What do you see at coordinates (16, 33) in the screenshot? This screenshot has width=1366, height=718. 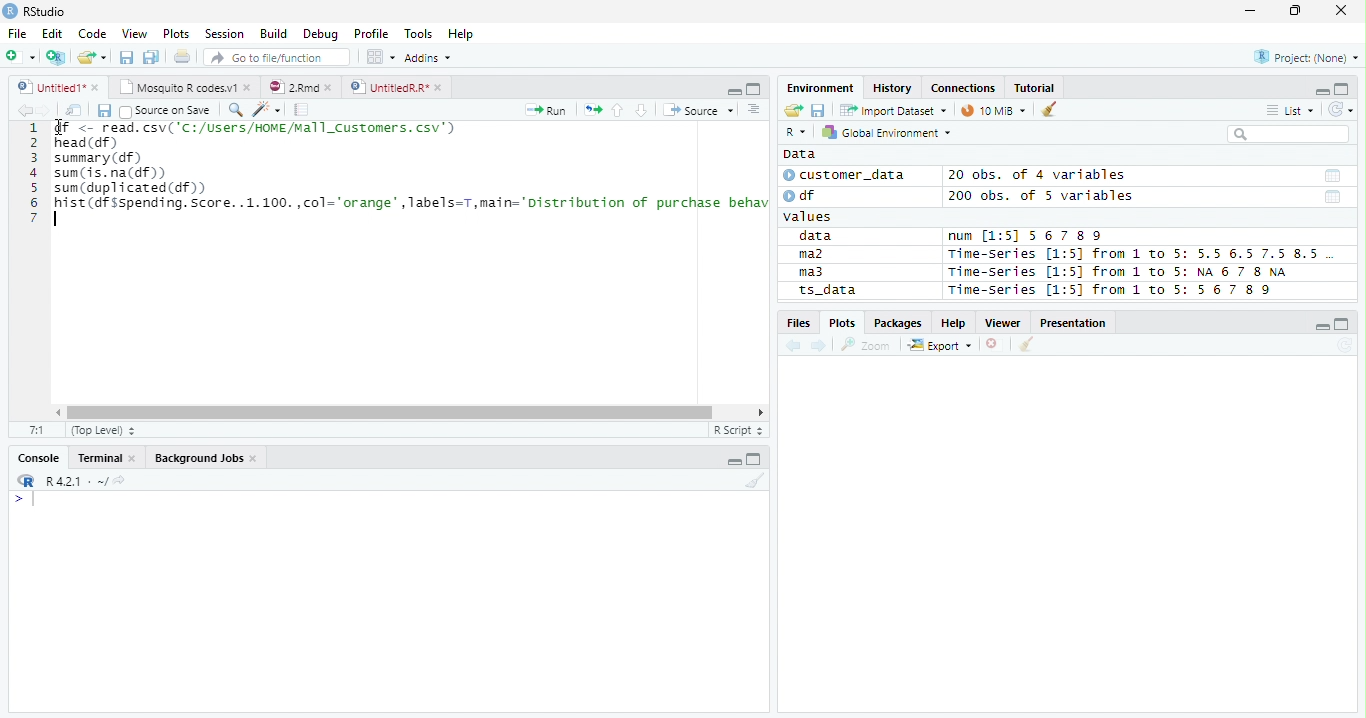 I see `File` at bounding box center [16, 33].